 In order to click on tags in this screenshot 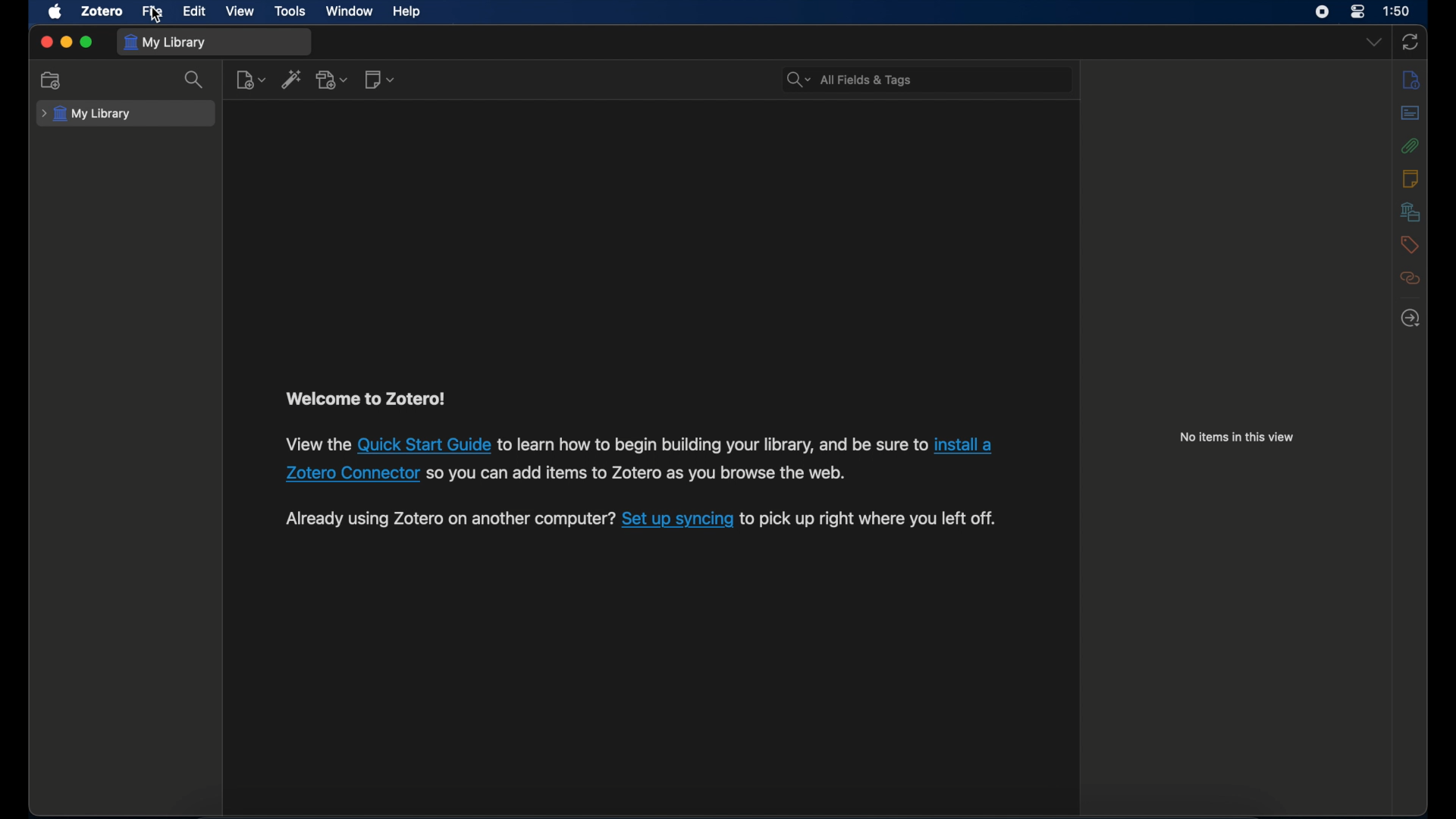, I will do `click(1407, 245)`.